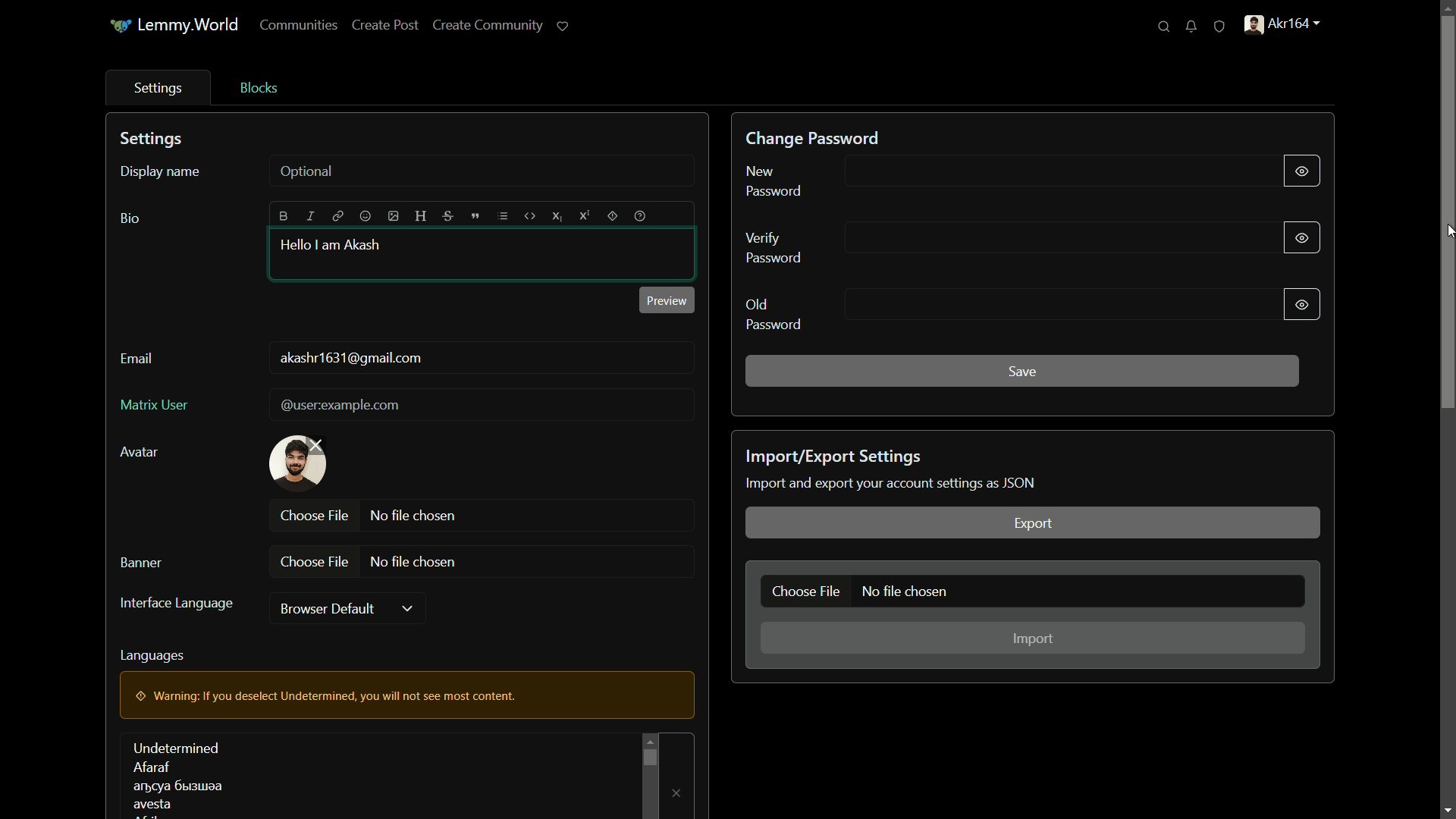  Describe the element at coordinates (190, 26) in the screenshot. I see `Lemmy.World` at that location.